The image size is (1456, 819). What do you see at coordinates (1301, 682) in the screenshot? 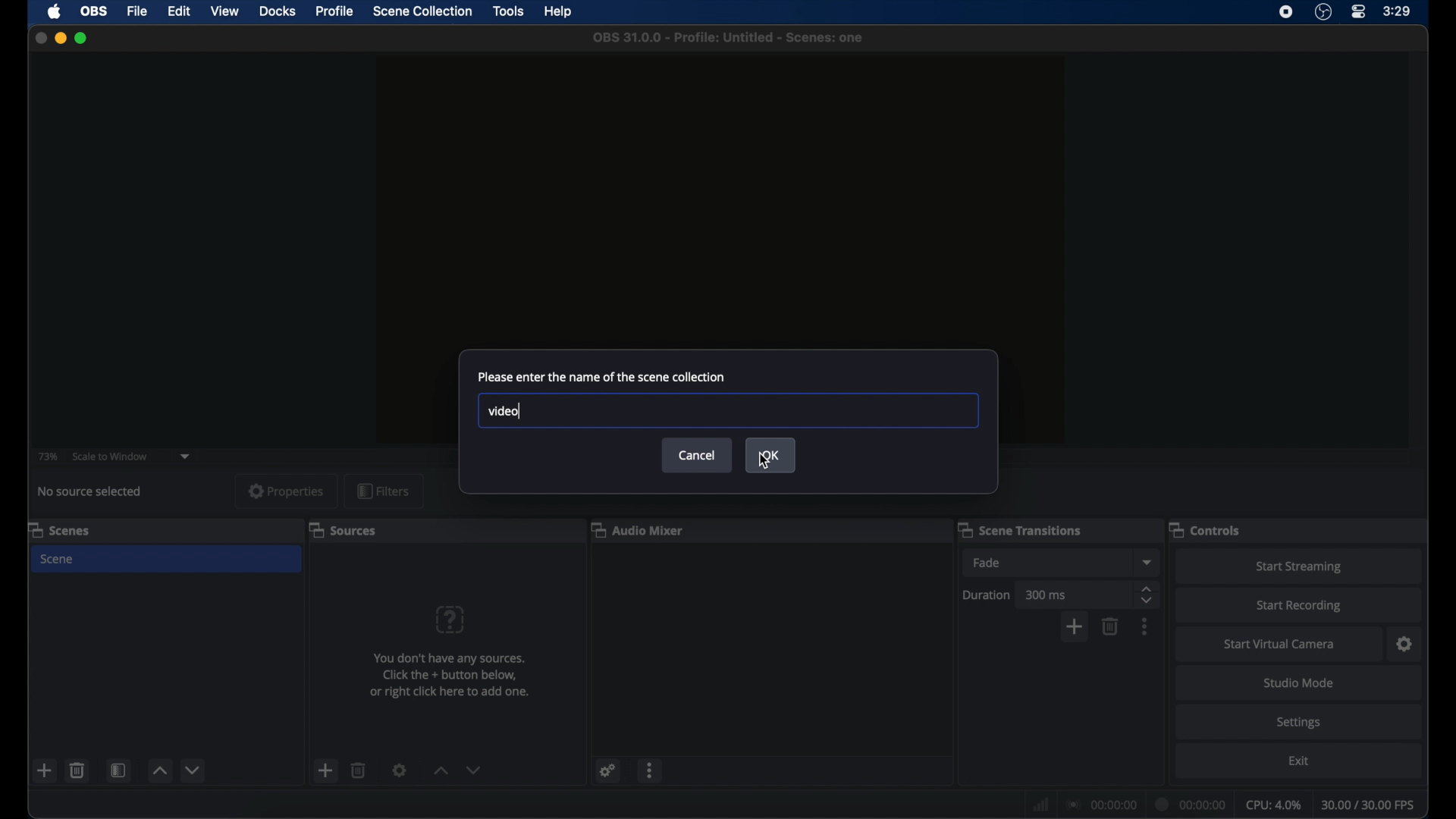
I see `studio mode` at bounding box center [1301, 682].